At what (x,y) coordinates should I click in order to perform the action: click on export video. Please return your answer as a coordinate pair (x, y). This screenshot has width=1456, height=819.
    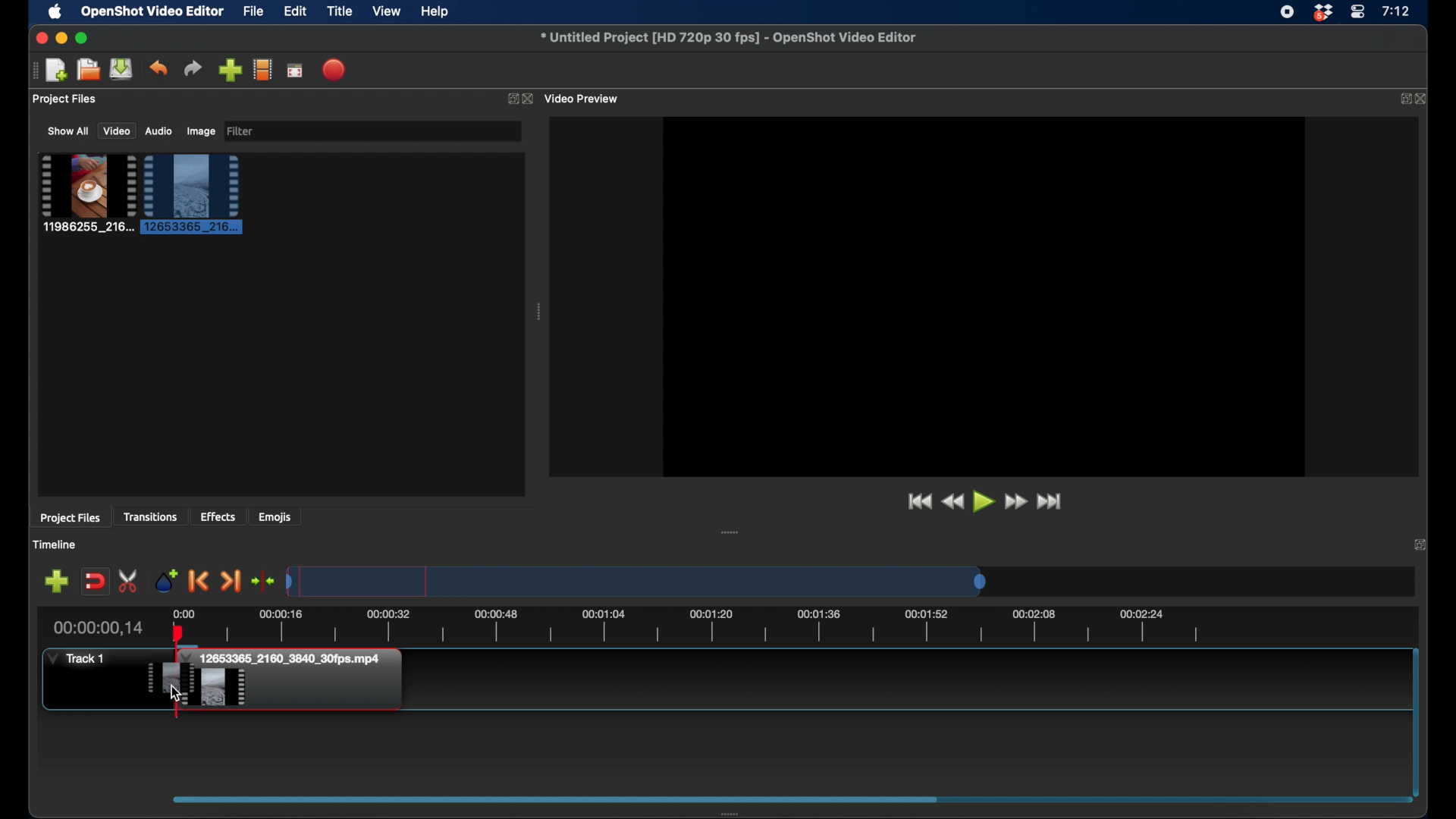
    Looking at the image, I should click on (336, 70).